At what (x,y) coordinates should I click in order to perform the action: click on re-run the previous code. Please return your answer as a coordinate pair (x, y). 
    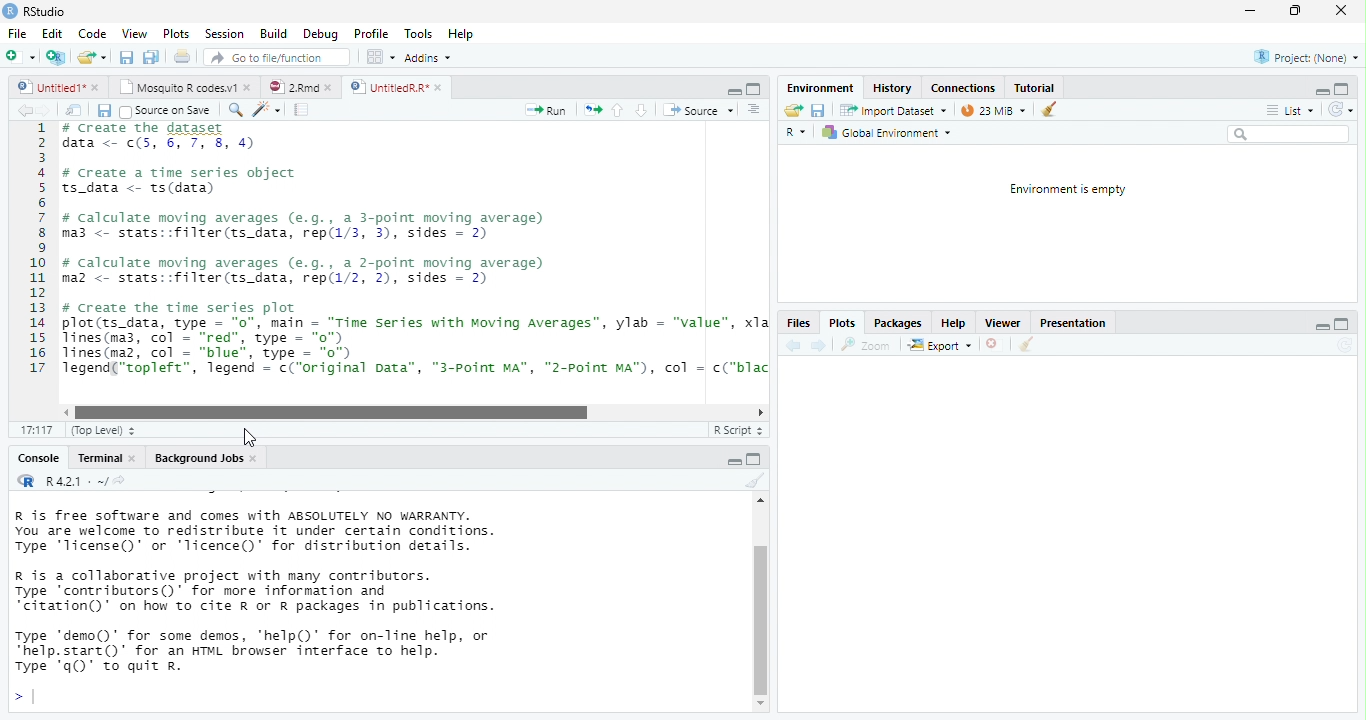
    Looking at the image, I should click on (593, 110).